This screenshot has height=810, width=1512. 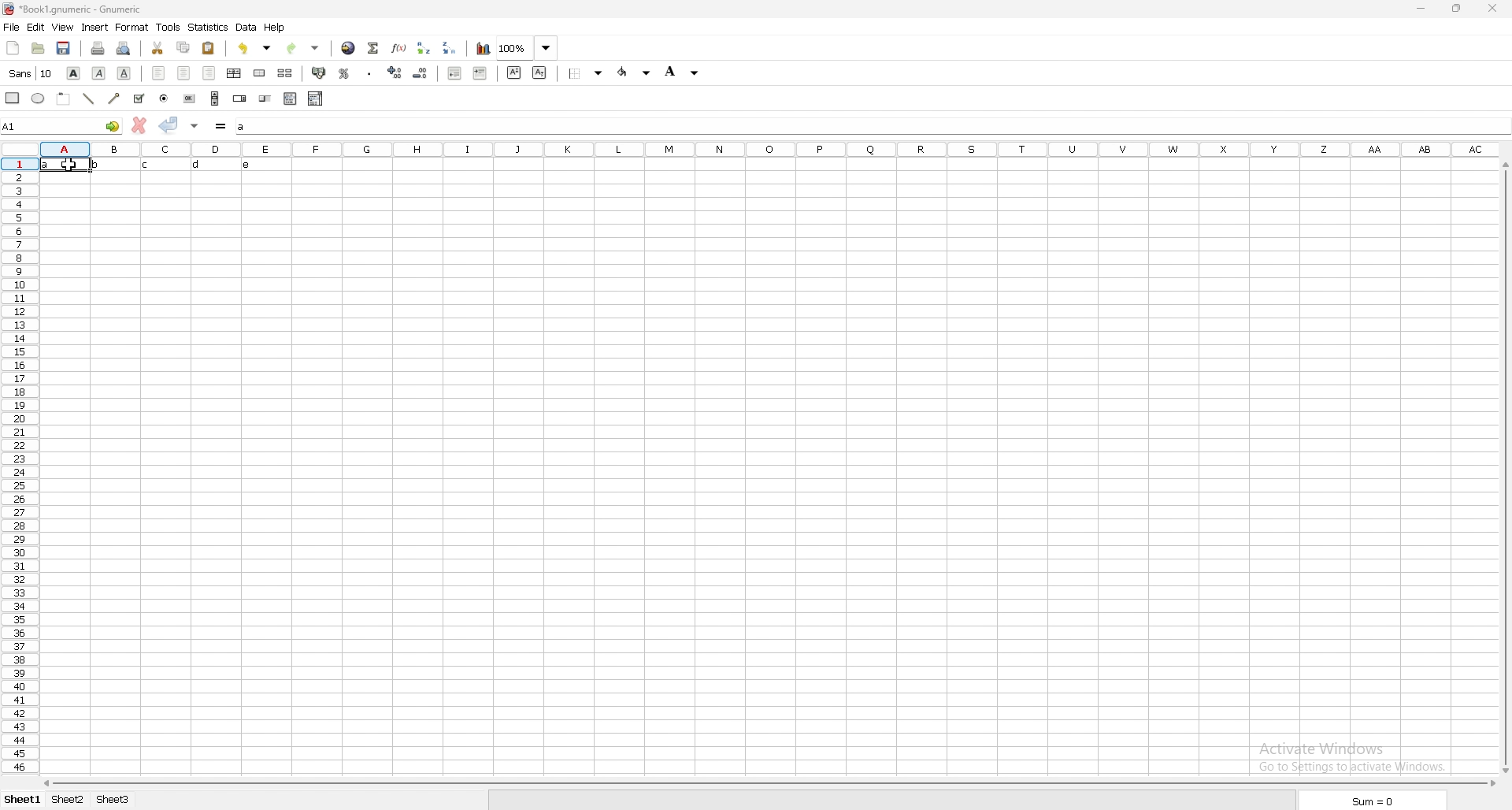 I want to click on list, so click(x=291, y=98).